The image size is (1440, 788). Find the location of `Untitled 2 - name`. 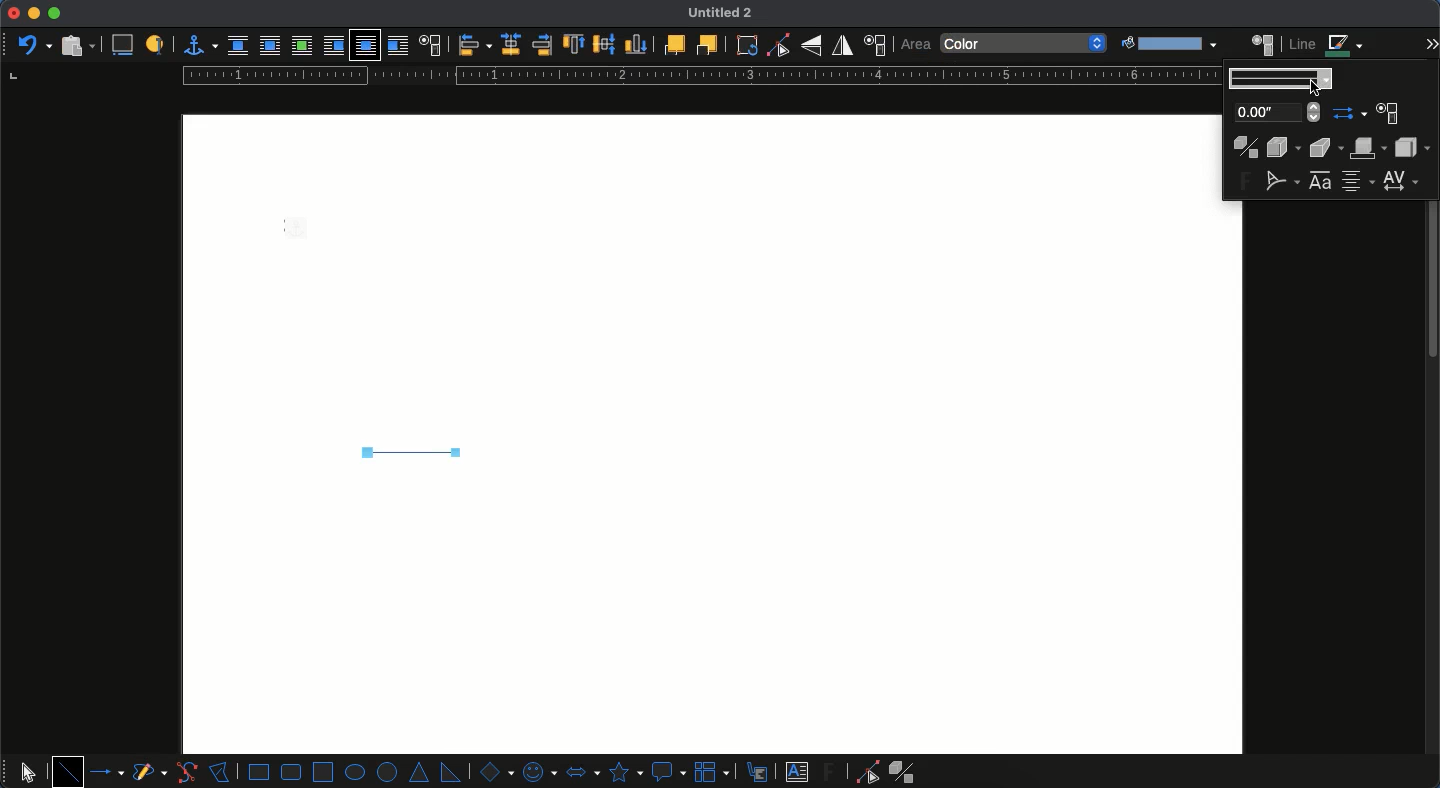

Untitled 2 - name is located at coordinates (724, 14).